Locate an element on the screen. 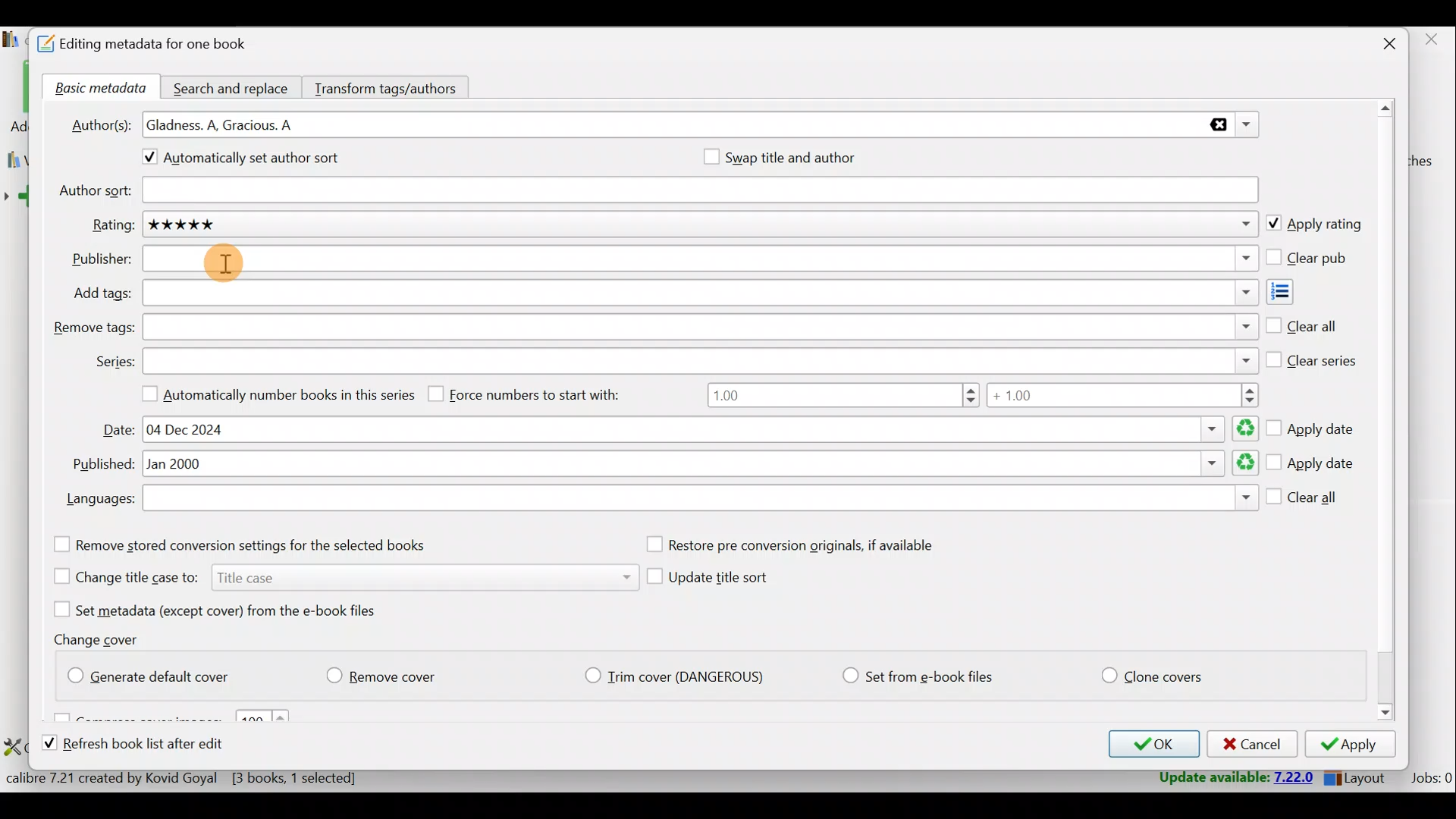 The width and height of the screenshot is (1456, 819). Date is located at coordinates (698, 429).